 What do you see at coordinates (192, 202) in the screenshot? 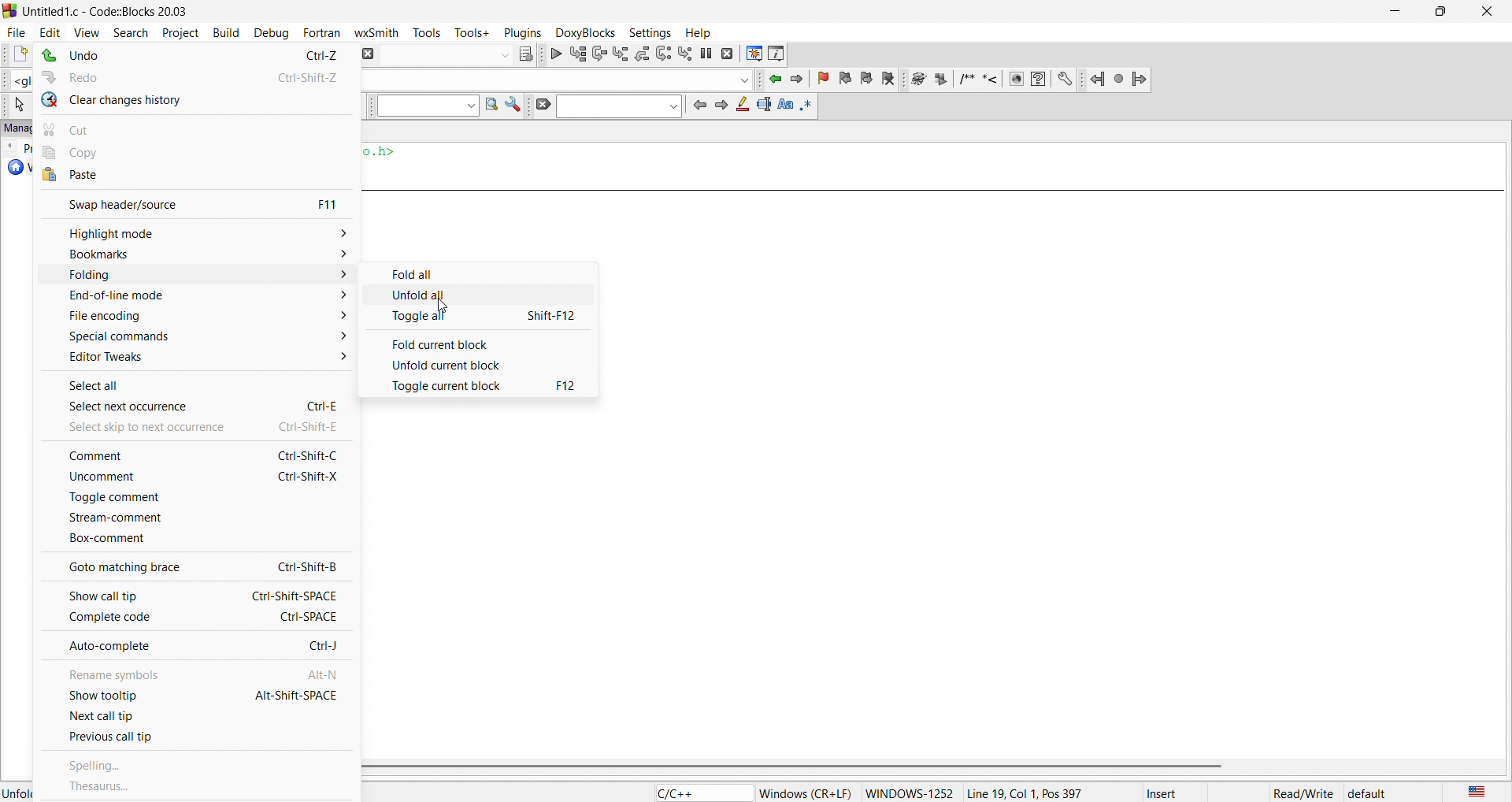
I see `swap header/source` at bounding box center [192, 202].